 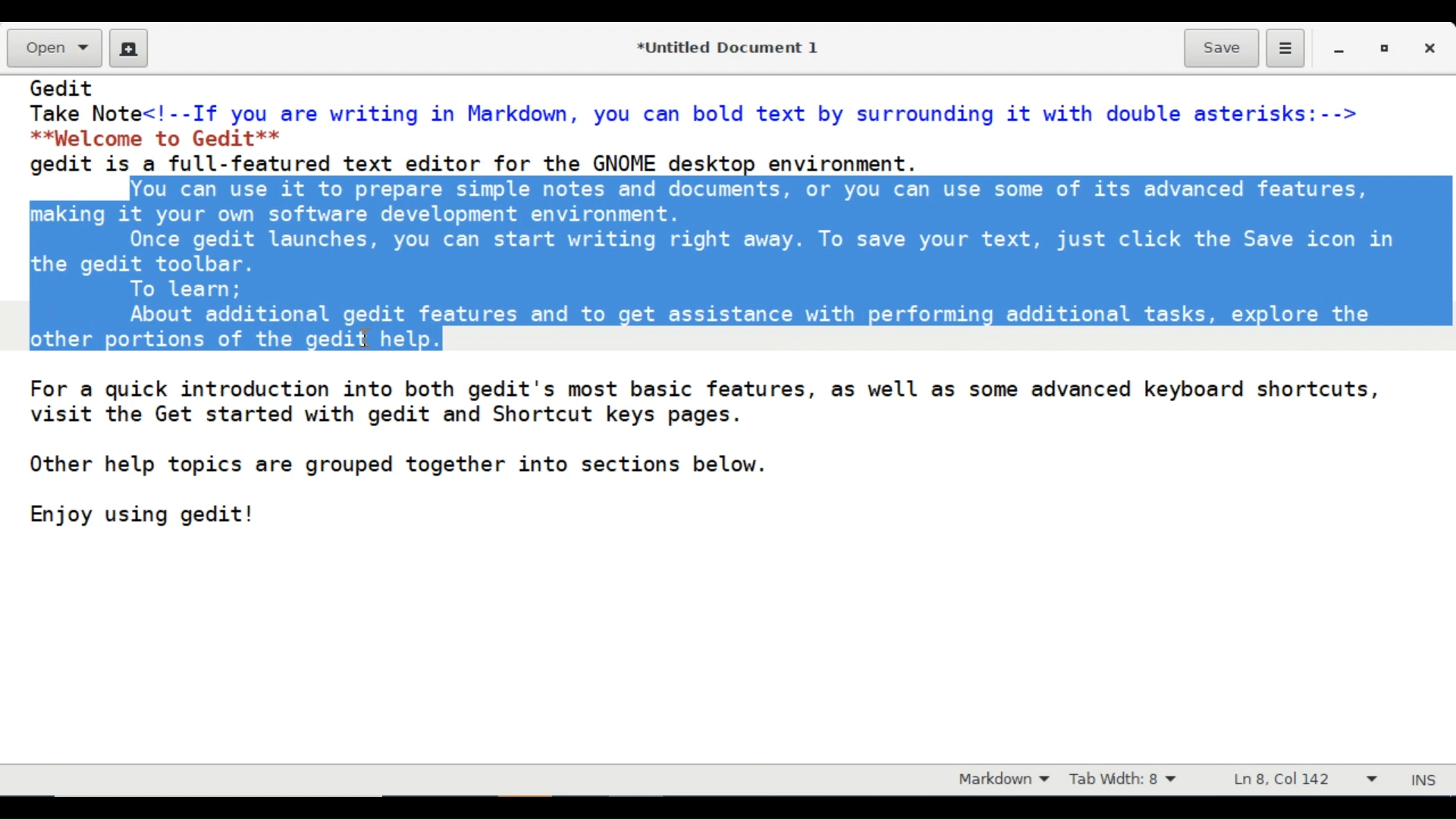 What do you see at coordinates (999, 780) in the screenshot?
I see `Markdown` at bounding box center [999, 780].